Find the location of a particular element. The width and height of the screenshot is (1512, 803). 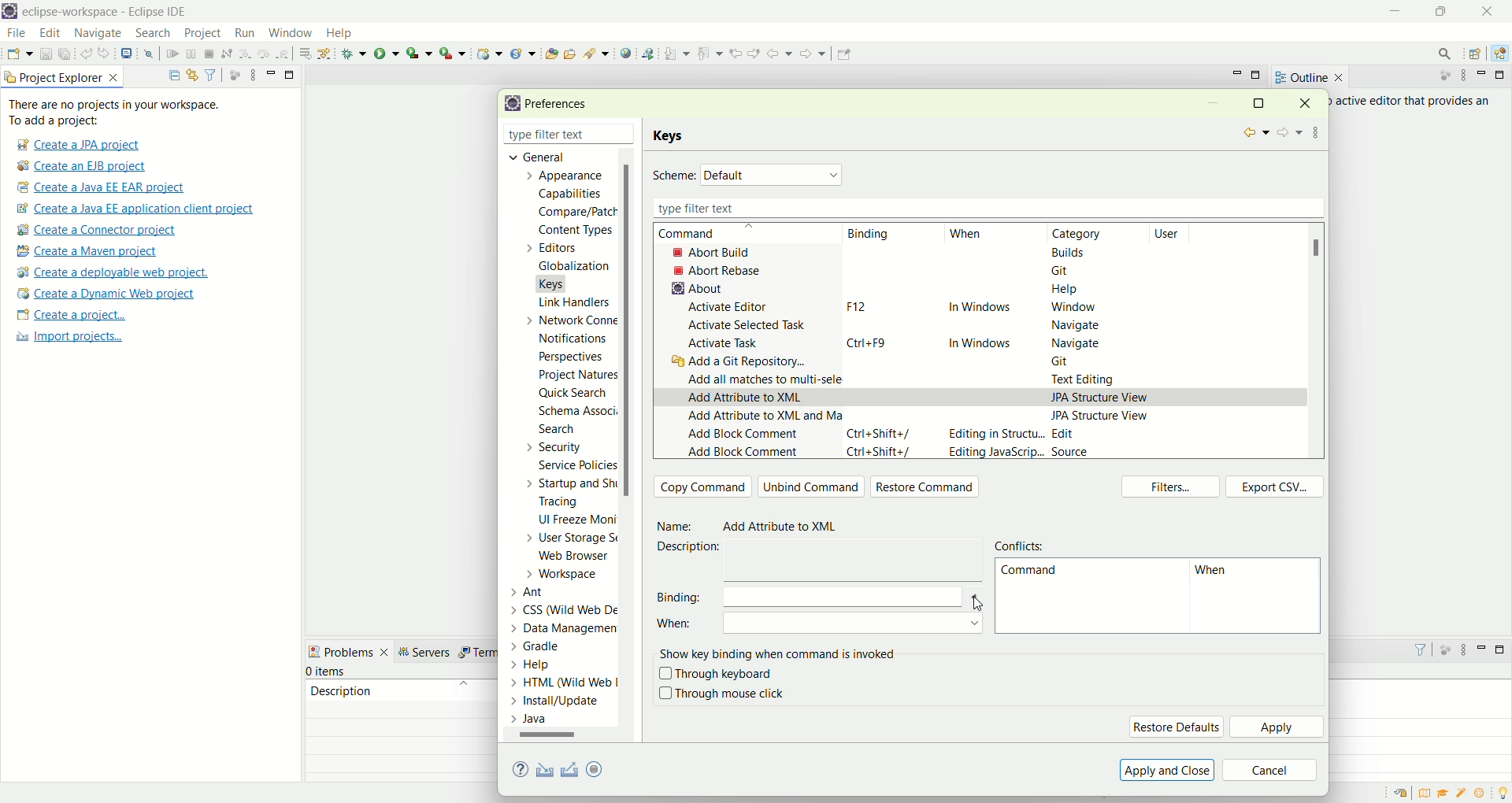

open a terminal is located at coordinates (125, 54).